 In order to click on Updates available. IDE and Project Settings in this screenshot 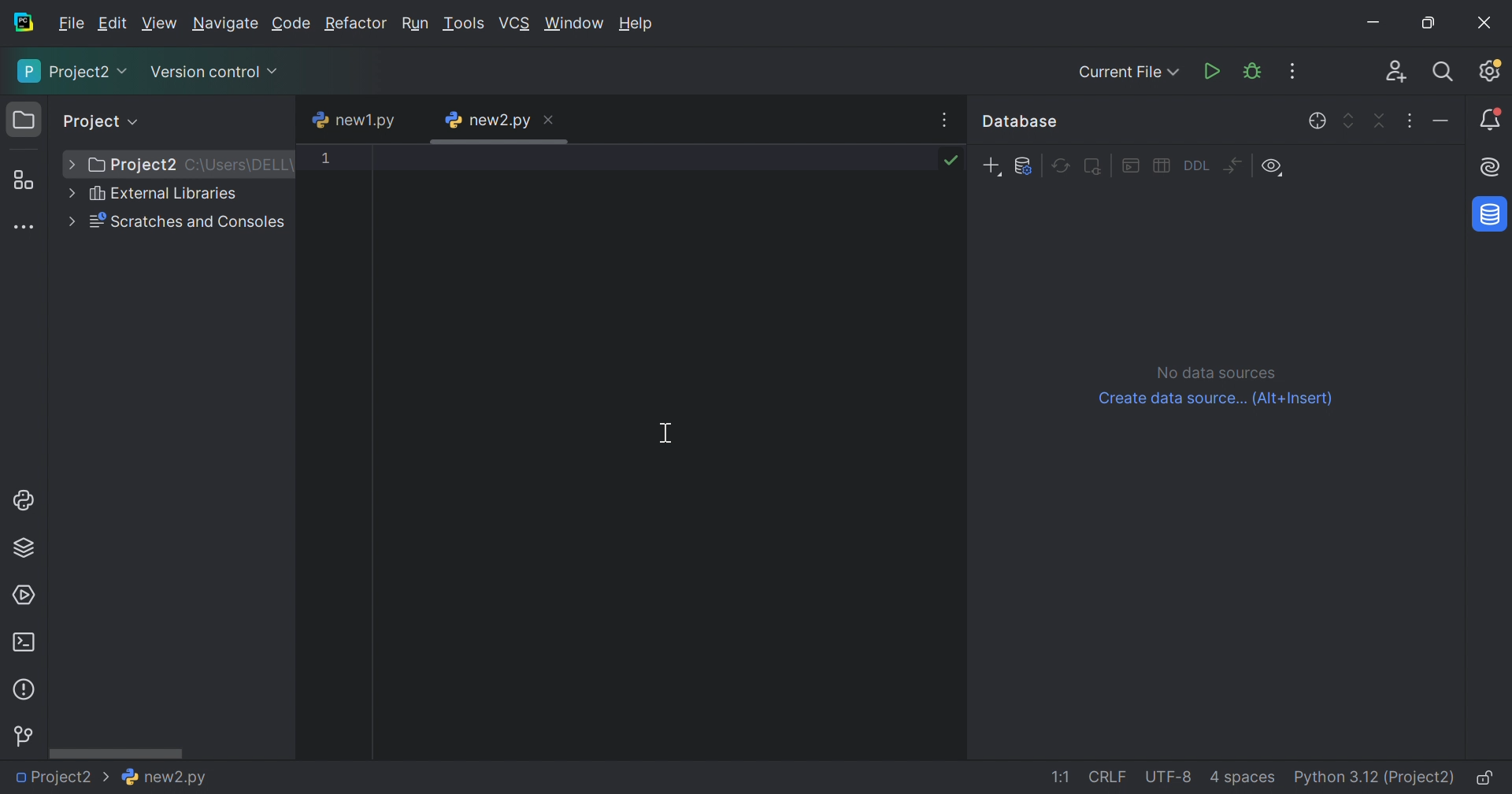, I will do `click(1489, 72)`.